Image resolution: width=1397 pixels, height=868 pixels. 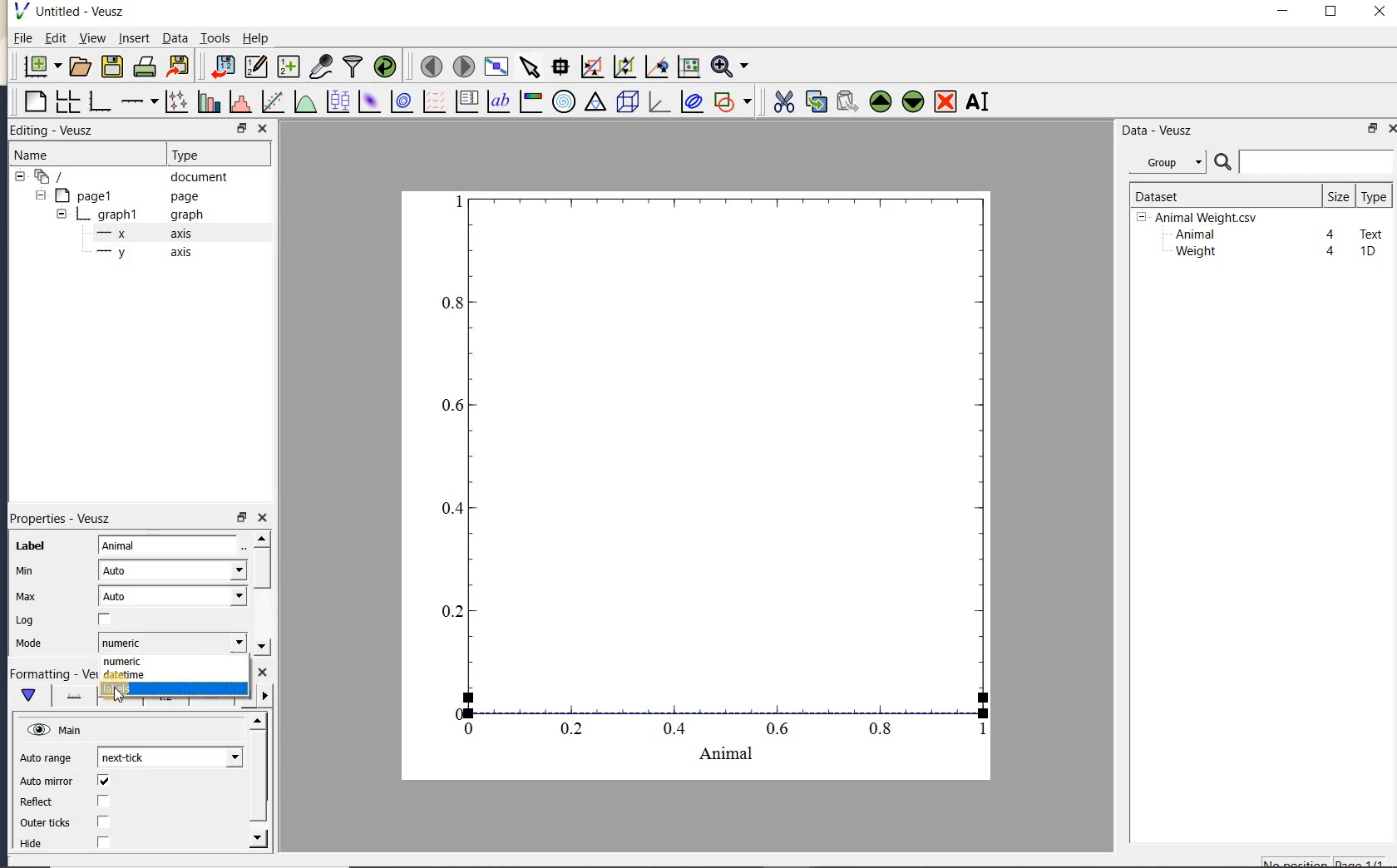 What do you see at coordinates (729, 67) in the screenshot?
I see `zoom function menus` at bounding box center [729, 67].